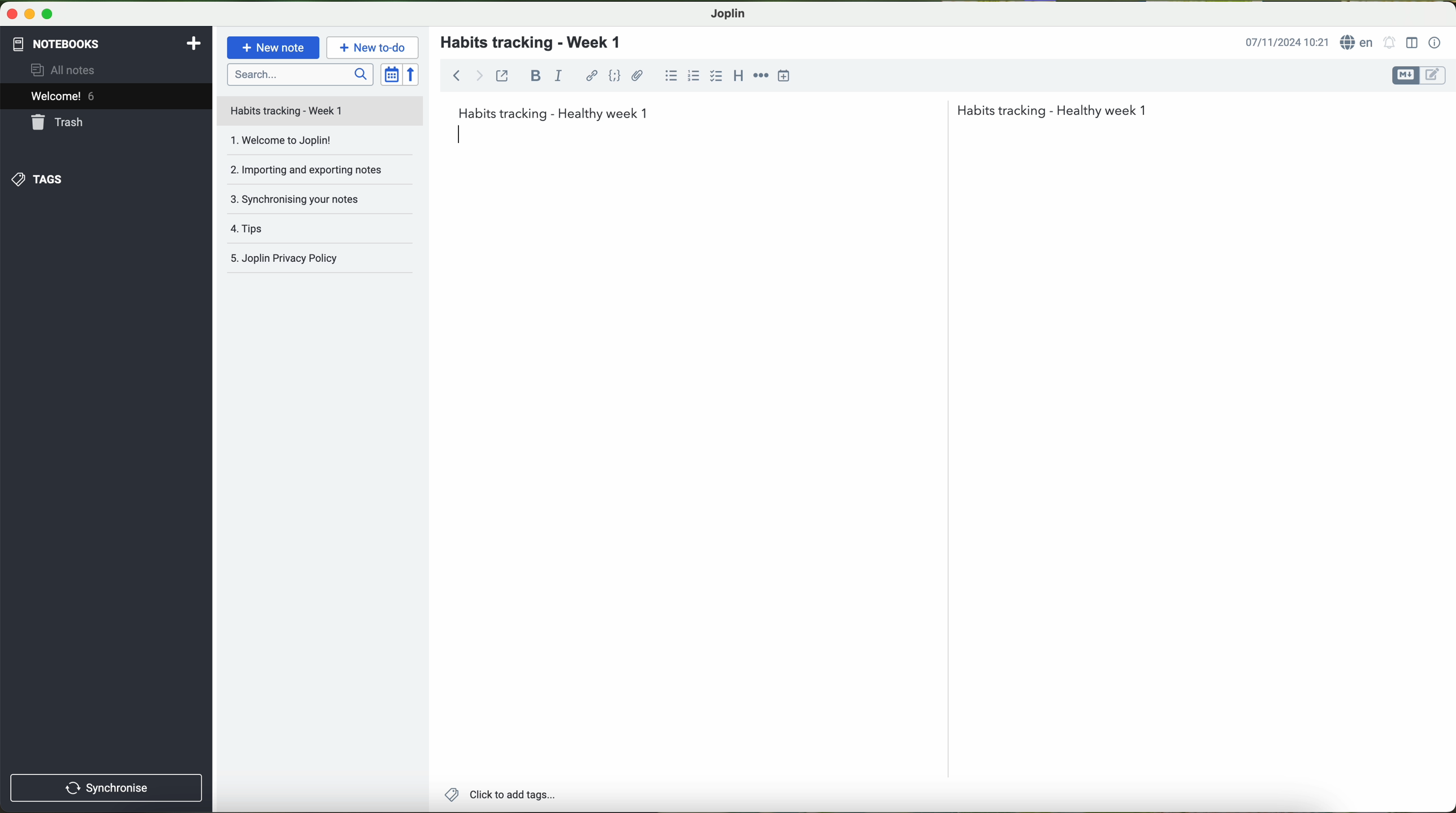  I want to click on hyperlink, so click(592, 76).